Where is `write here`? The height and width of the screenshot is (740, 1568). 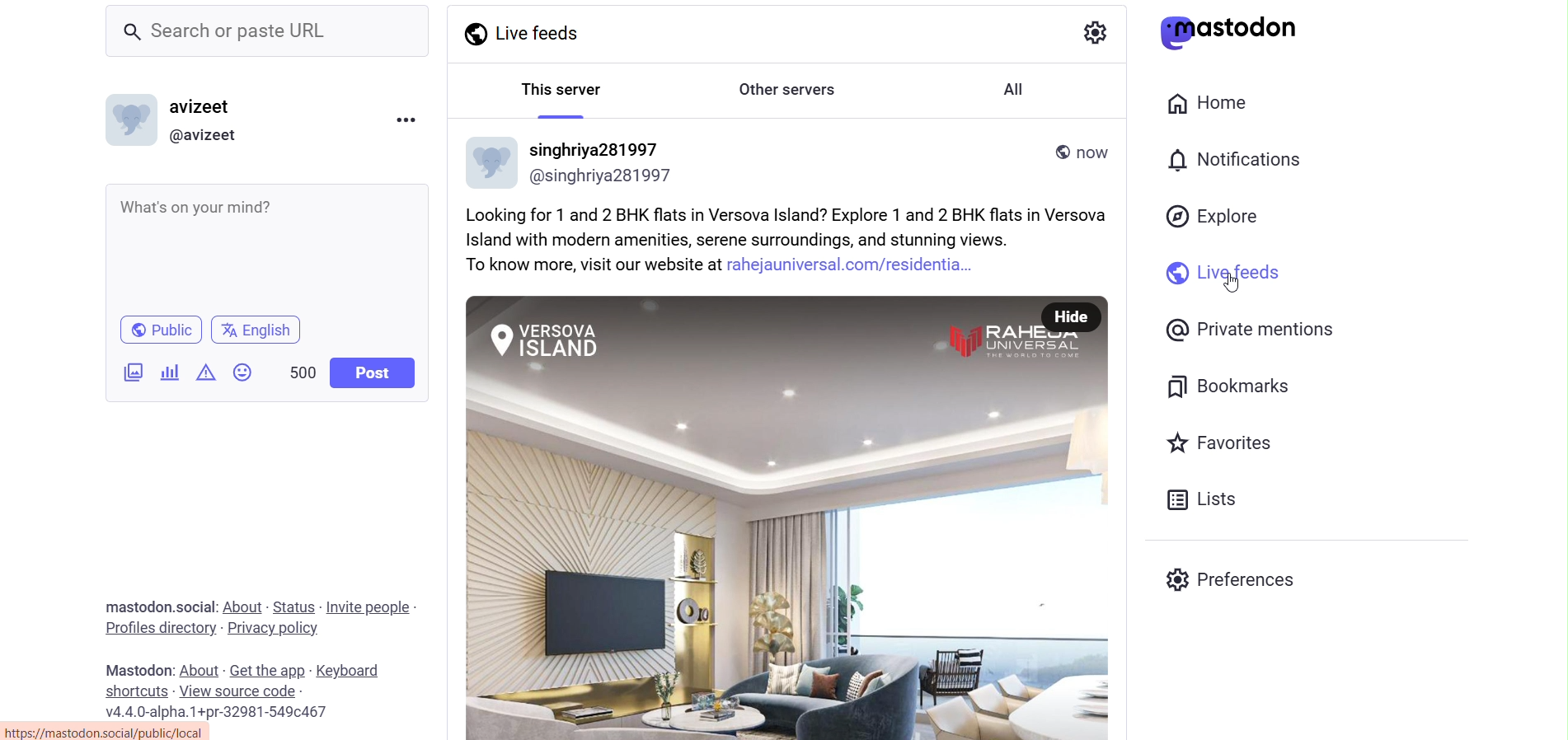 write here is located at coordinates (273, 248).